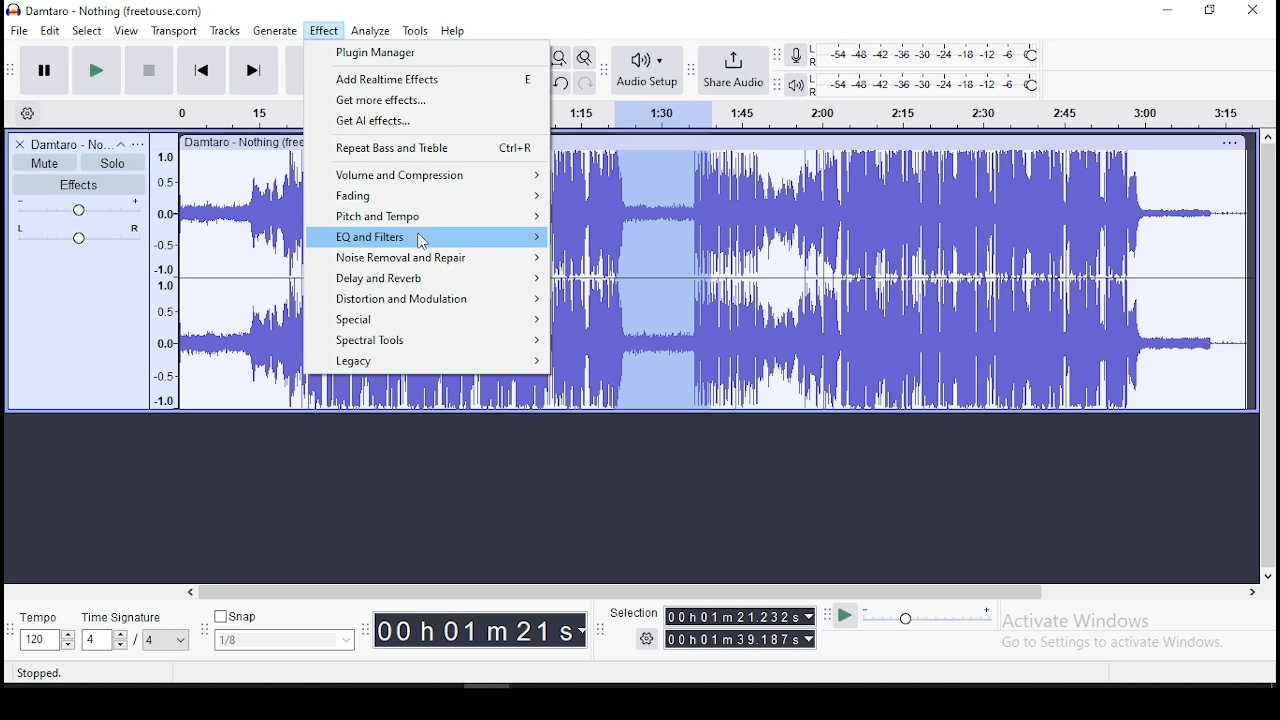 This screenshot has width=1280, height=720. Describe the element at coordinates (38, 672) in the screenshot. I see `Stopped.` at that location.